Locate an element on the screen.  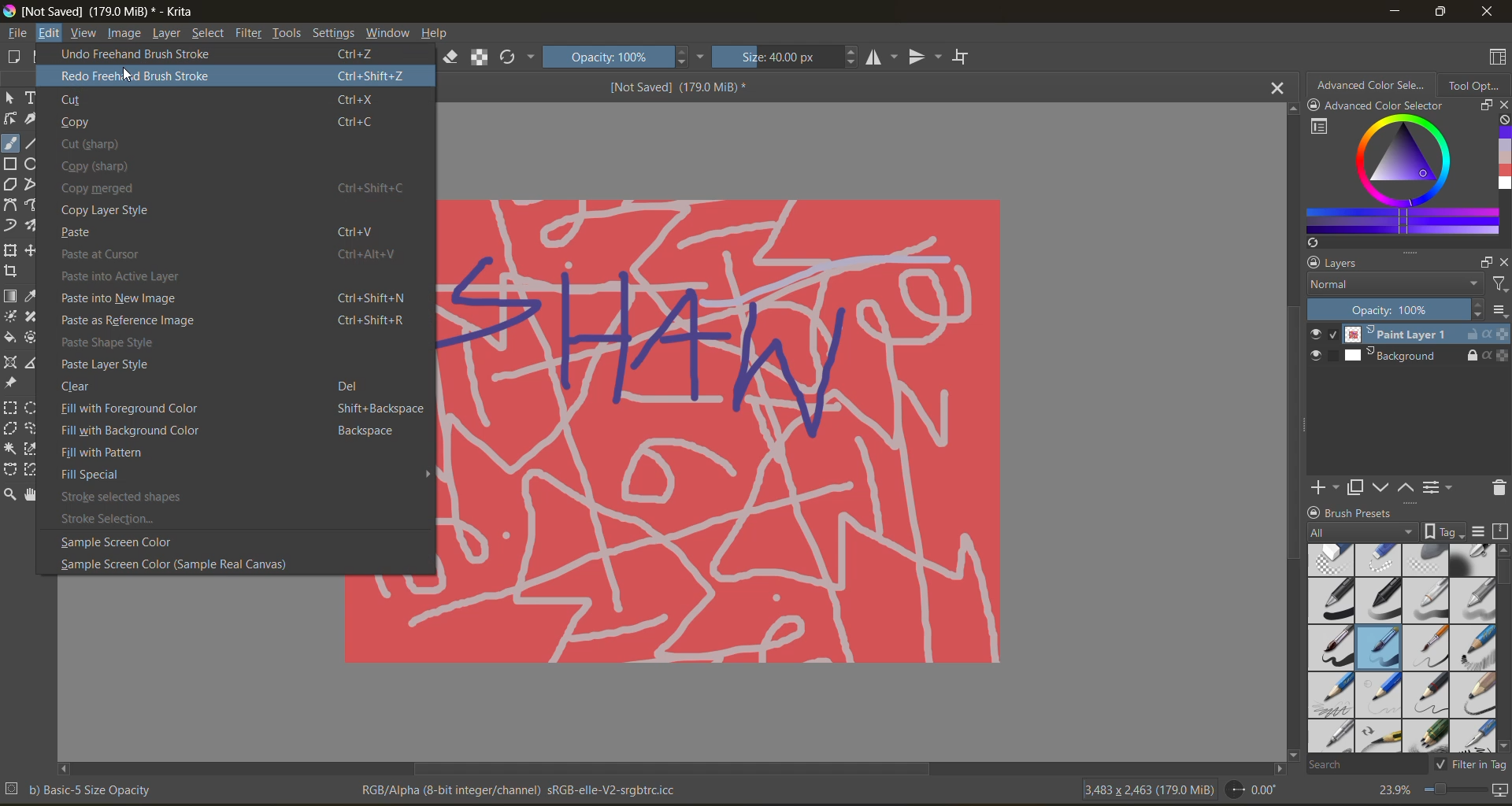
filter is located at coordinates (1496, 285).